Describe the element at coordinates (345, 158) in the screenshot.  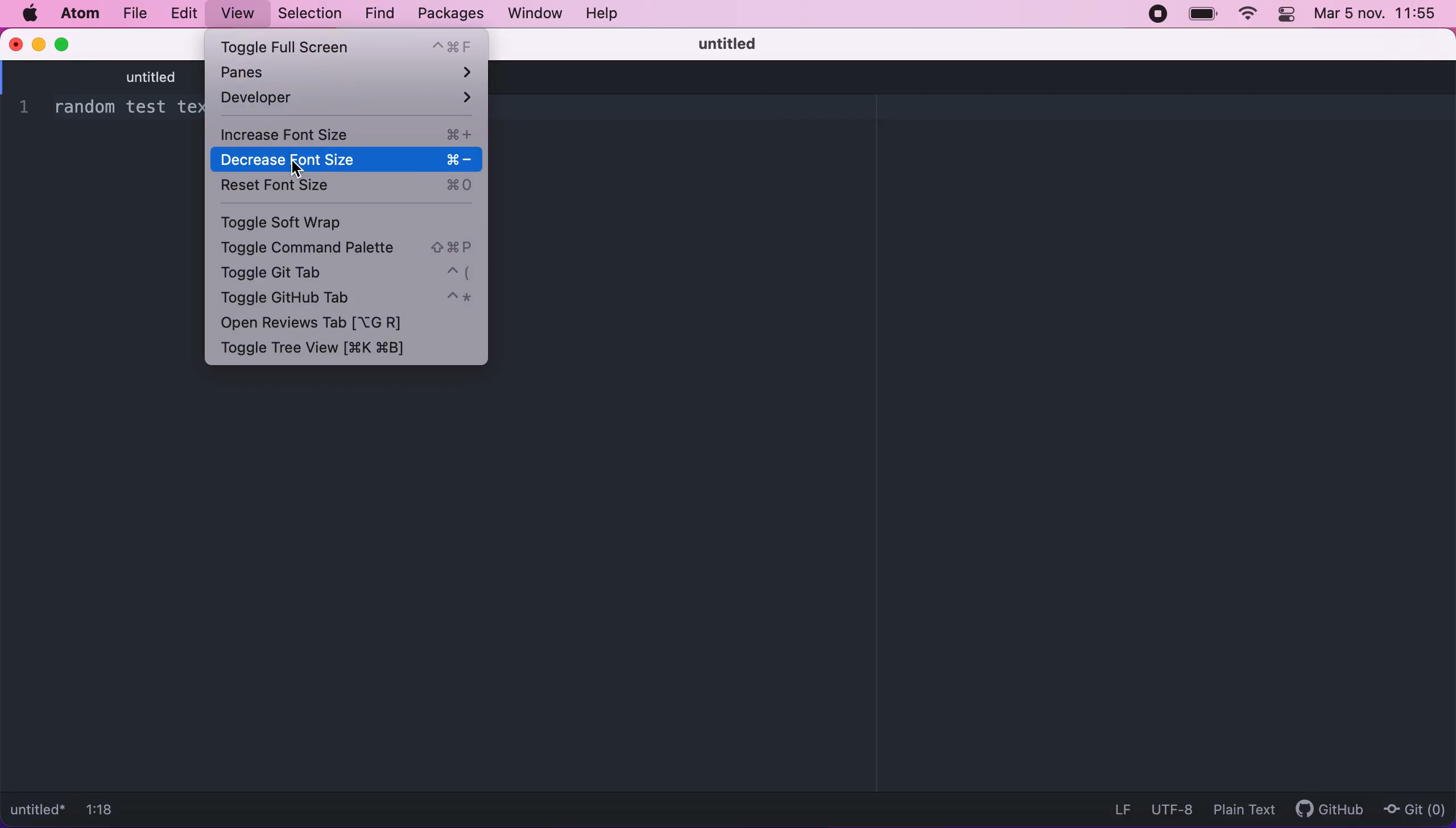
I see `decrease font size` at that location.